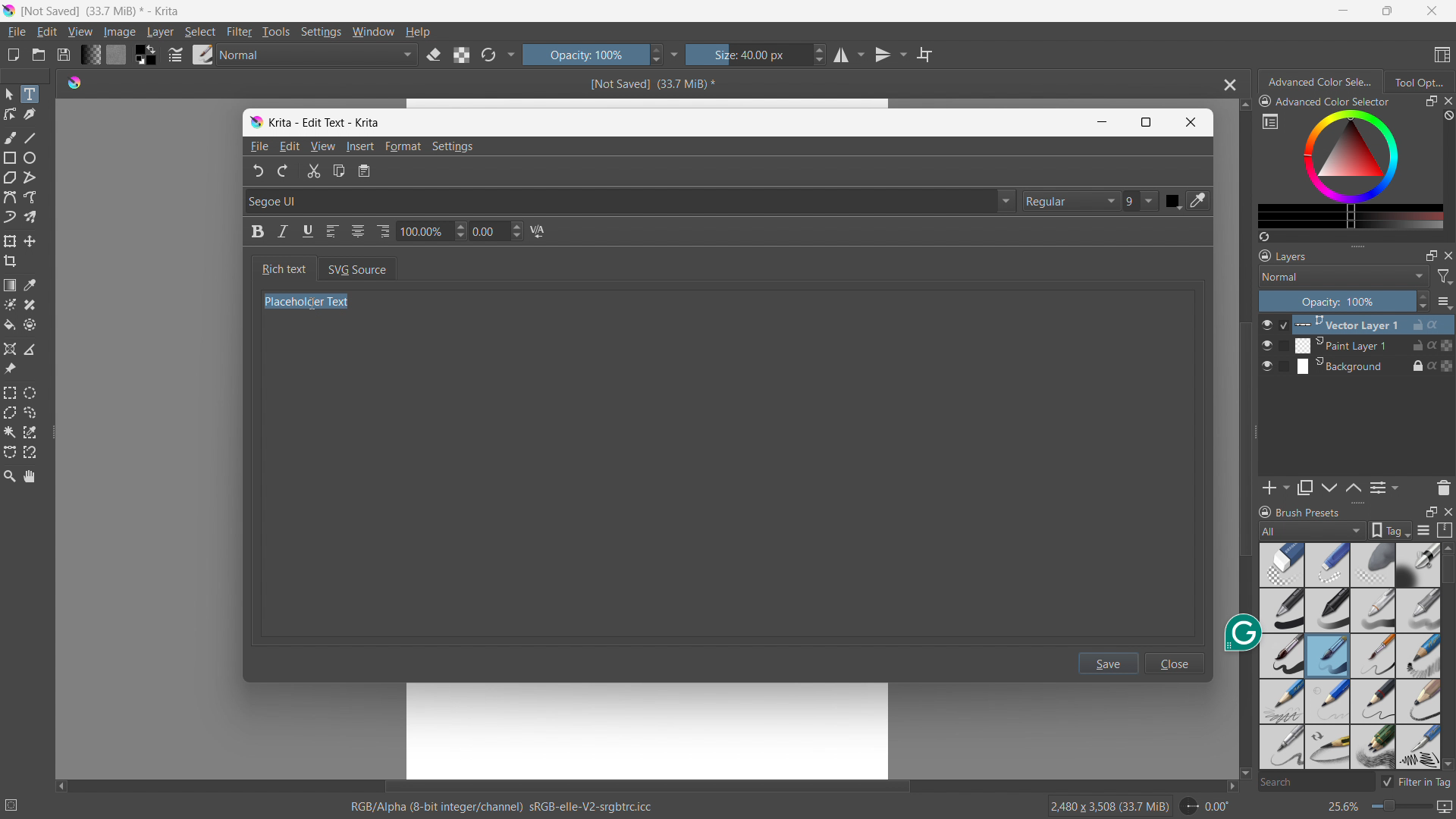  I want to click on swap foreground and background colors, so click(146, 55).